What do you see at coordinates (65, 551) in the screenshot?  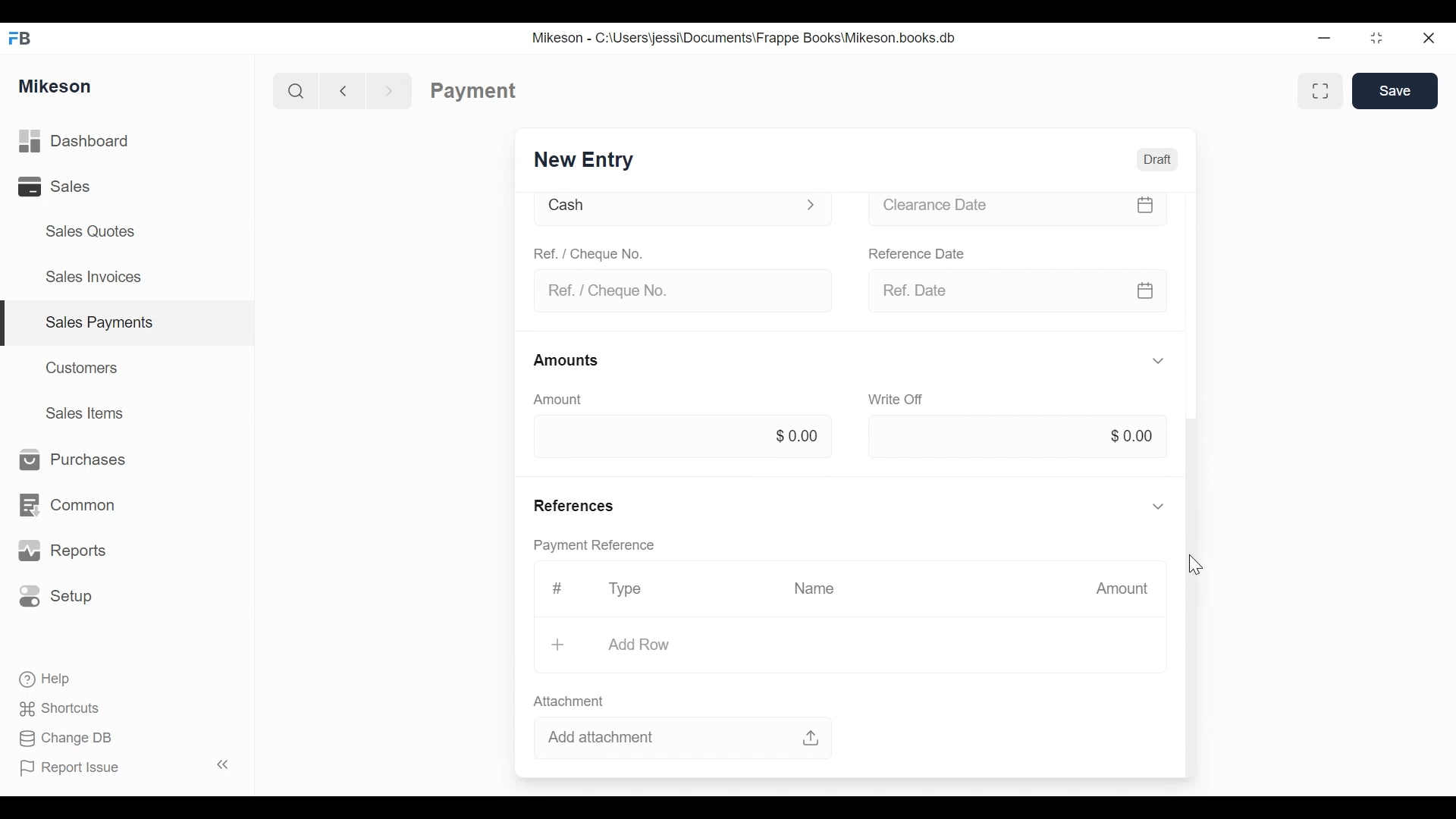 I see `Reports` at bounding box center [65, 551].